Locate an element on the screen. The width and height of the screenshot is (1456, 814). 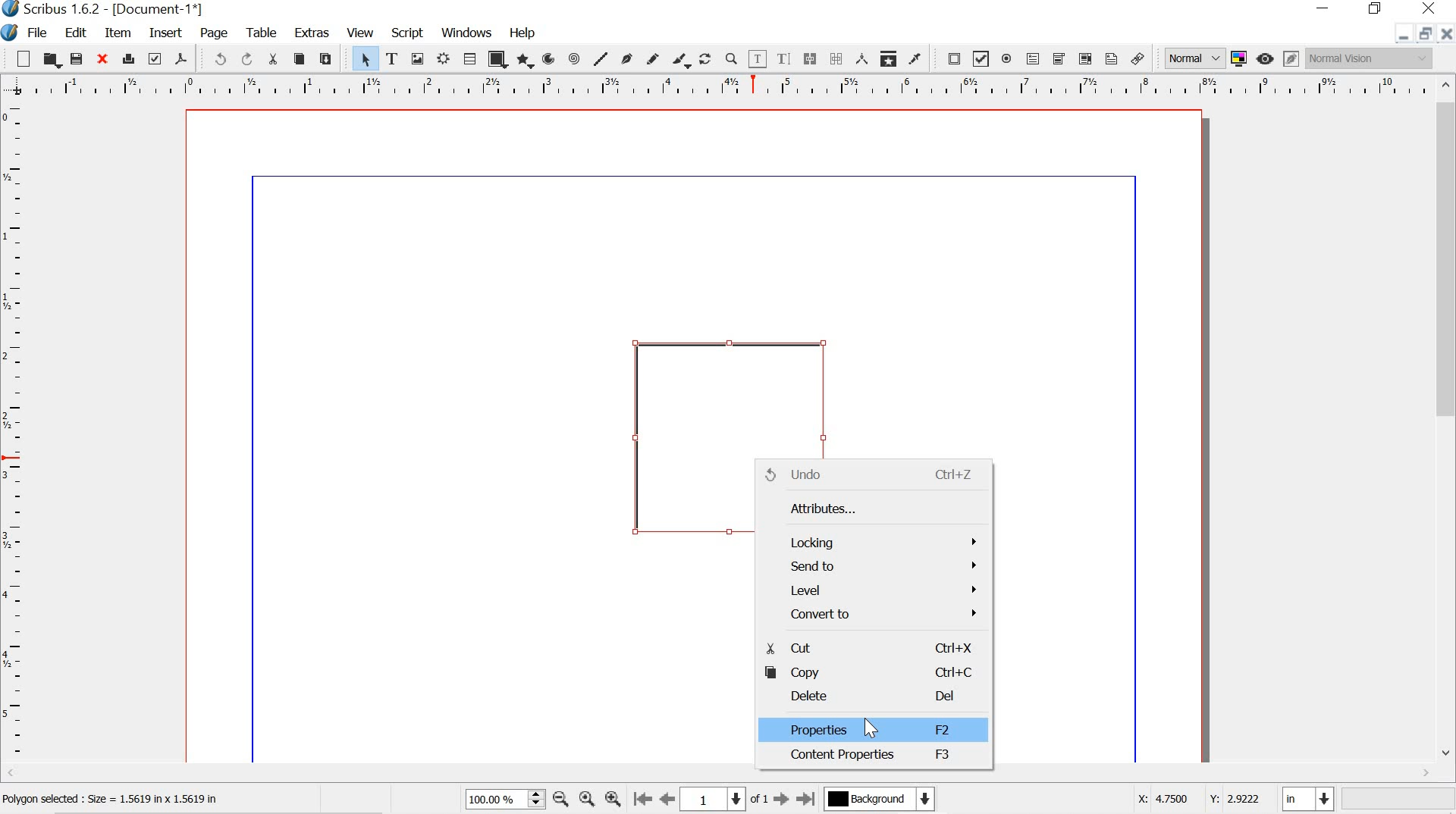
X: 4.7500  Y: 2.9222 is located at coordinates (1189, 801).